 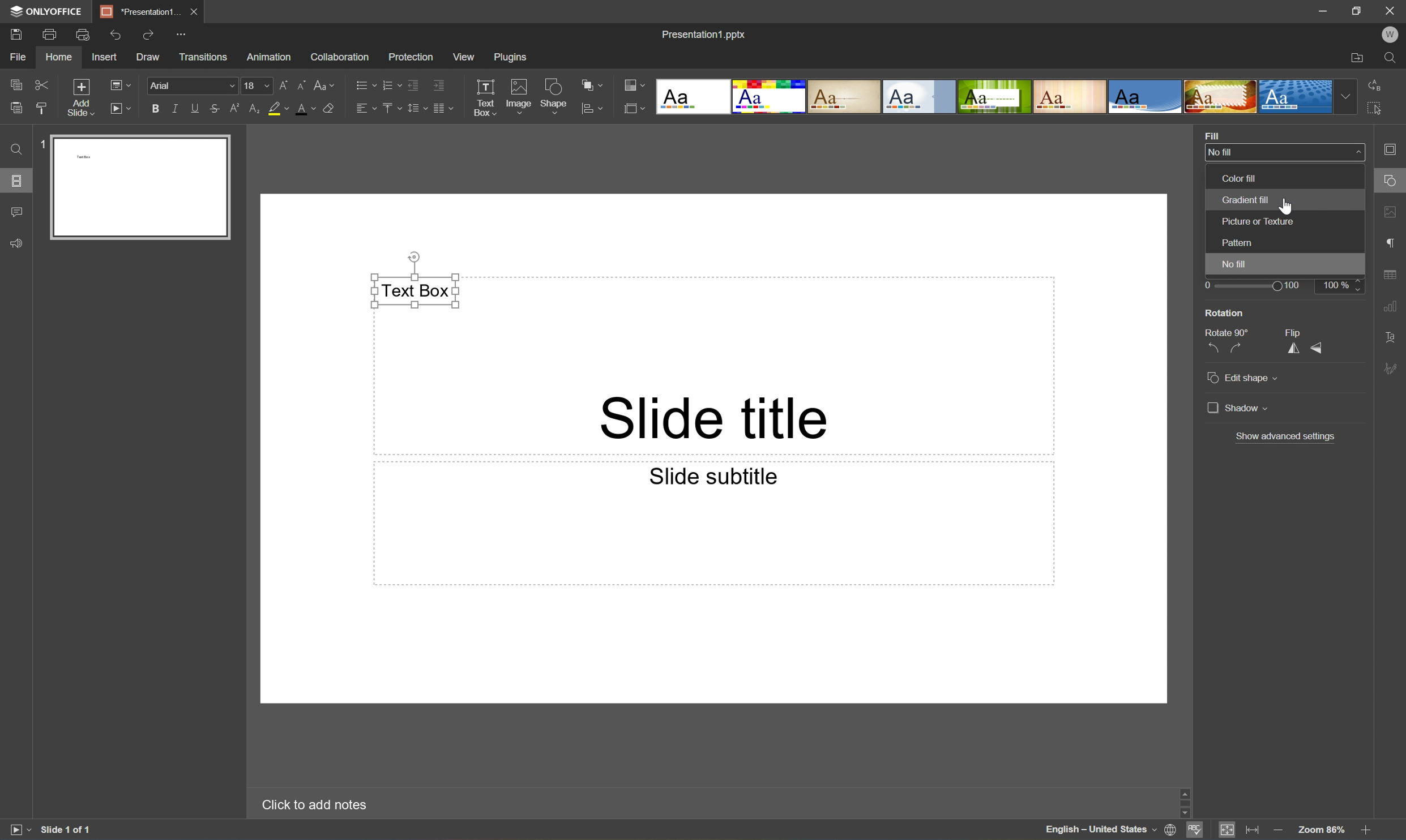 I want to click on Find, so click(x=18, y=149).